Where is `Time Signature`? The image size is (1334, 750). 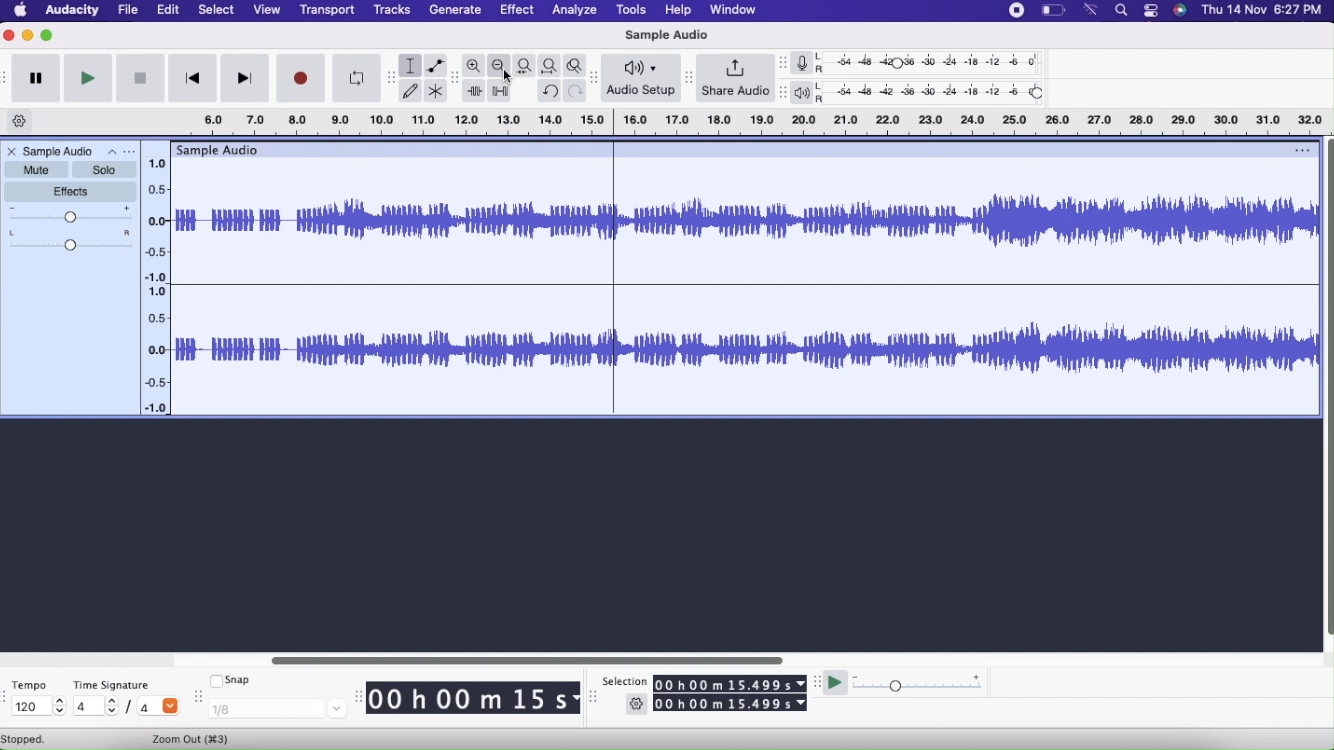 Time Signature is located at coordinates (114, 685).